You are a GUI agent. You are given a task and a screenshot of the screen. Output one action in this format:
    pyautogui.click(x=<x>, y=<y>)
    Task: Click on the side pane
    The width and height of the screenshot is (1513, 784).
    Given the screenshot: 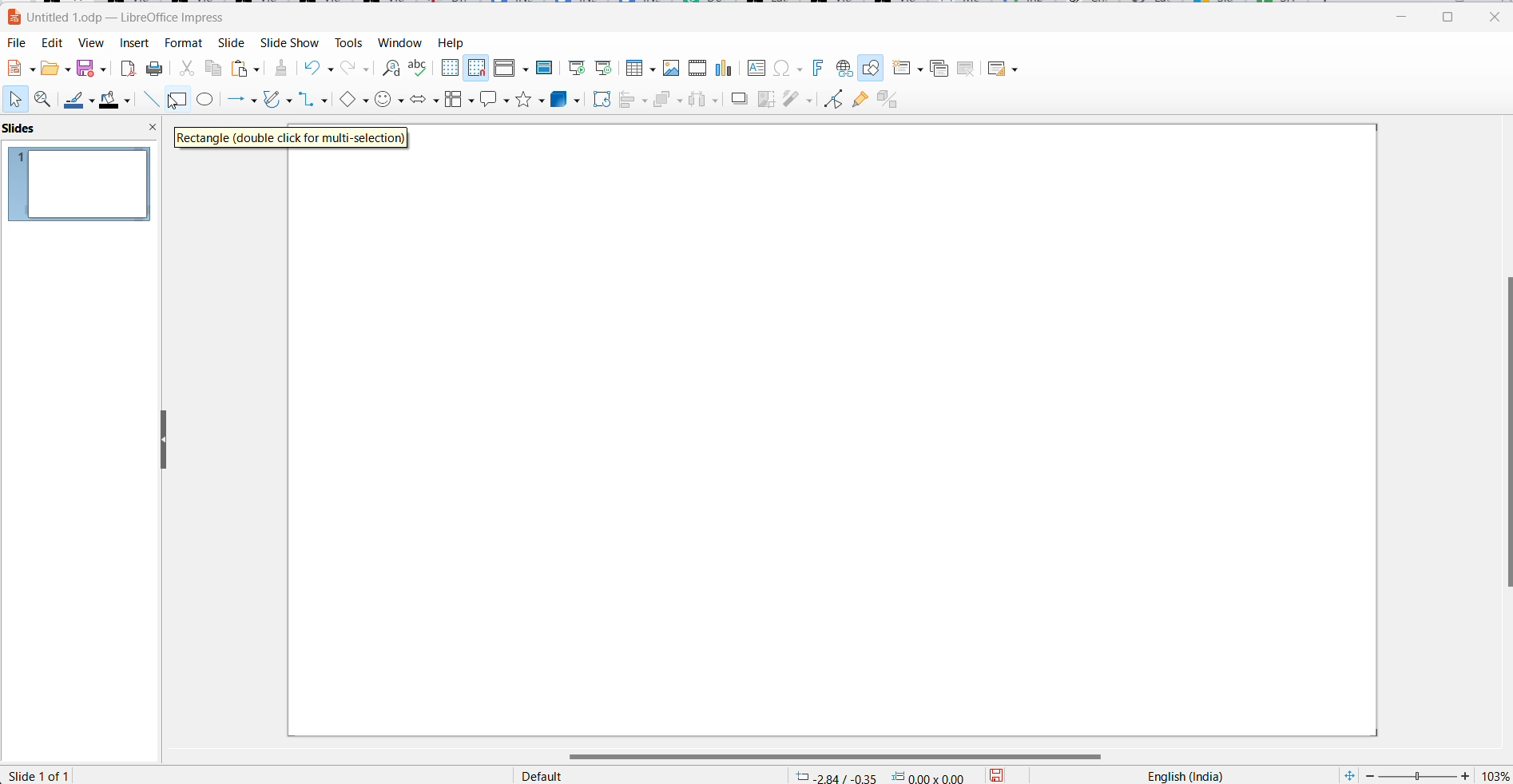 What is the action you would take?
    pyautogui.click(x=81, y=129)
    